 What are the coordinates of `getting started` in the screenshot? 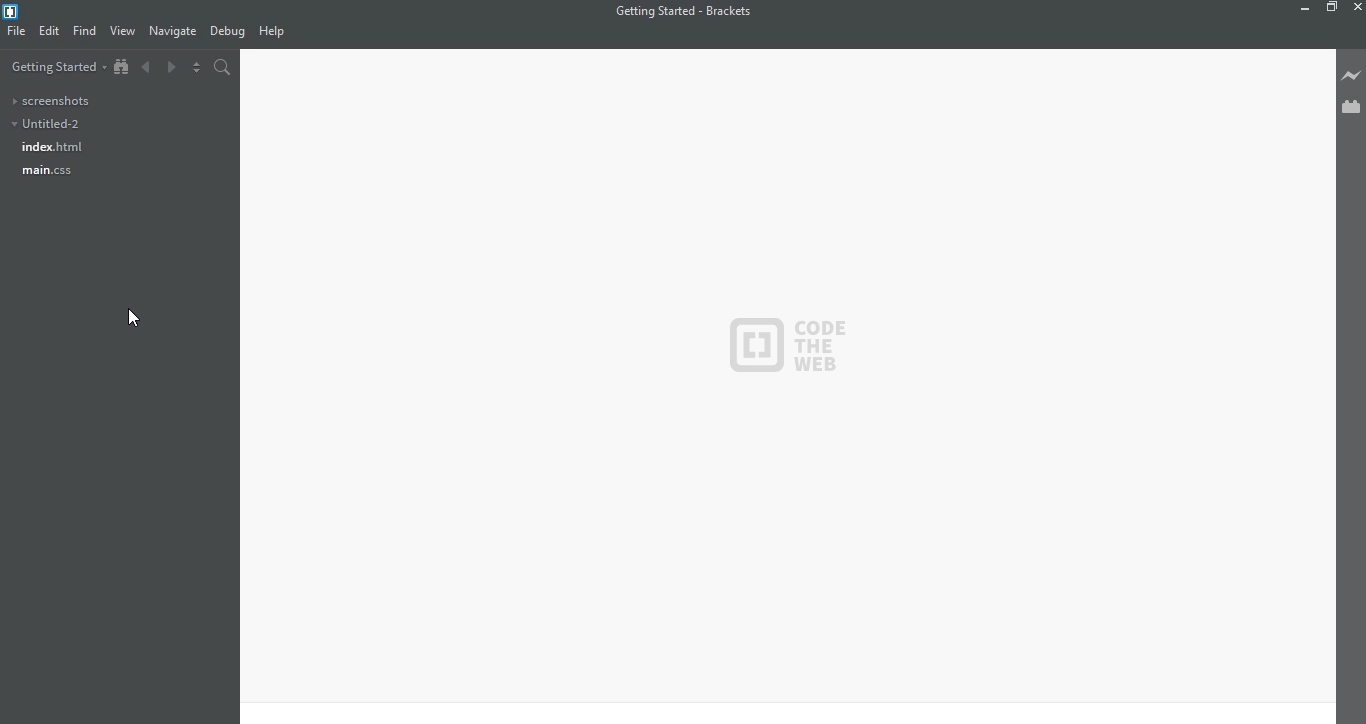 It's located at (57, 66).